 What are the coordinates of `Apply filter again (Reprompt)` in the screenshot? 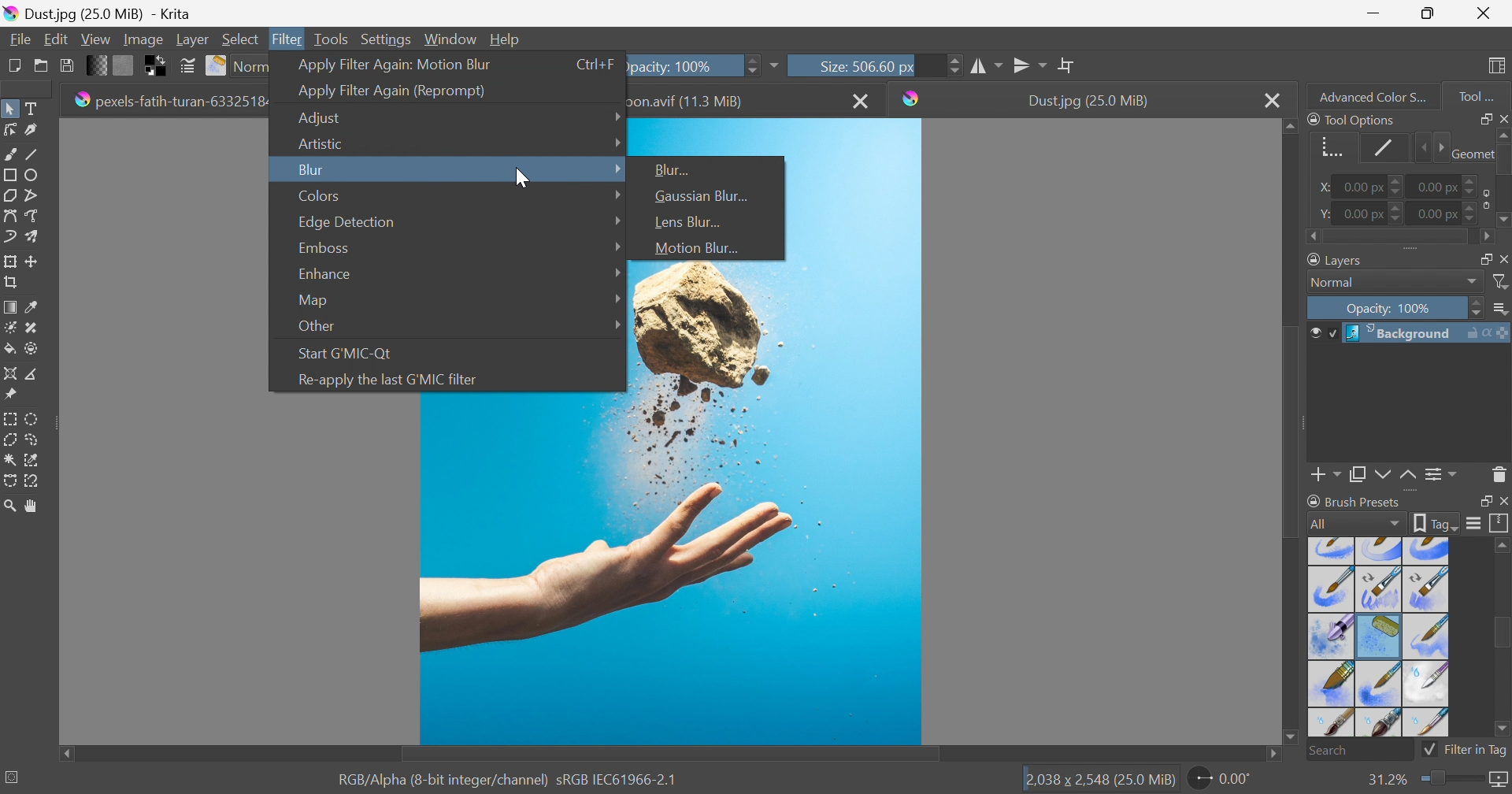 It's located at (392, 91).